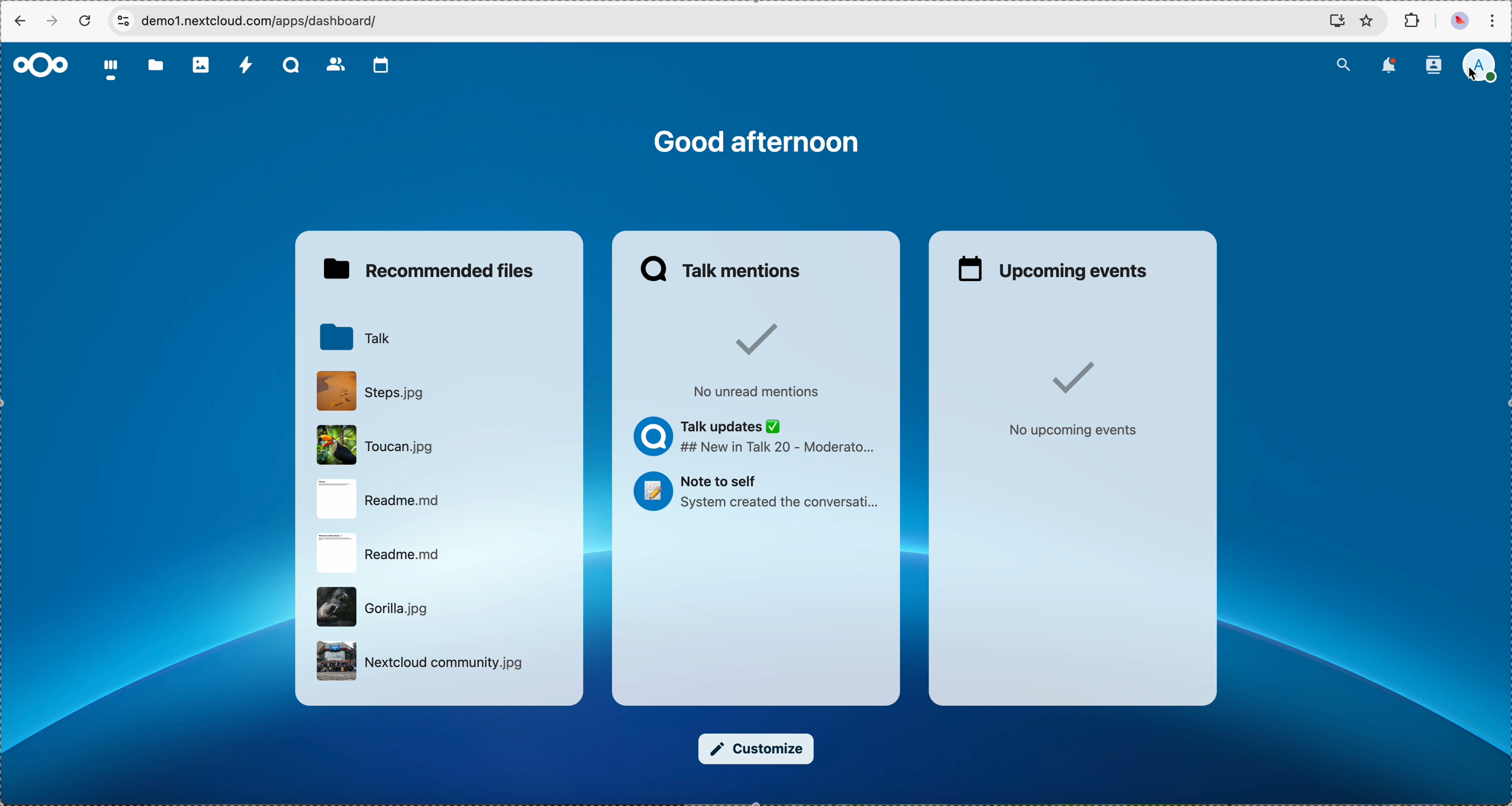 Image resolution: width=1512 pixels, height=806 pixels. I want to click on file, so click(423, 662).